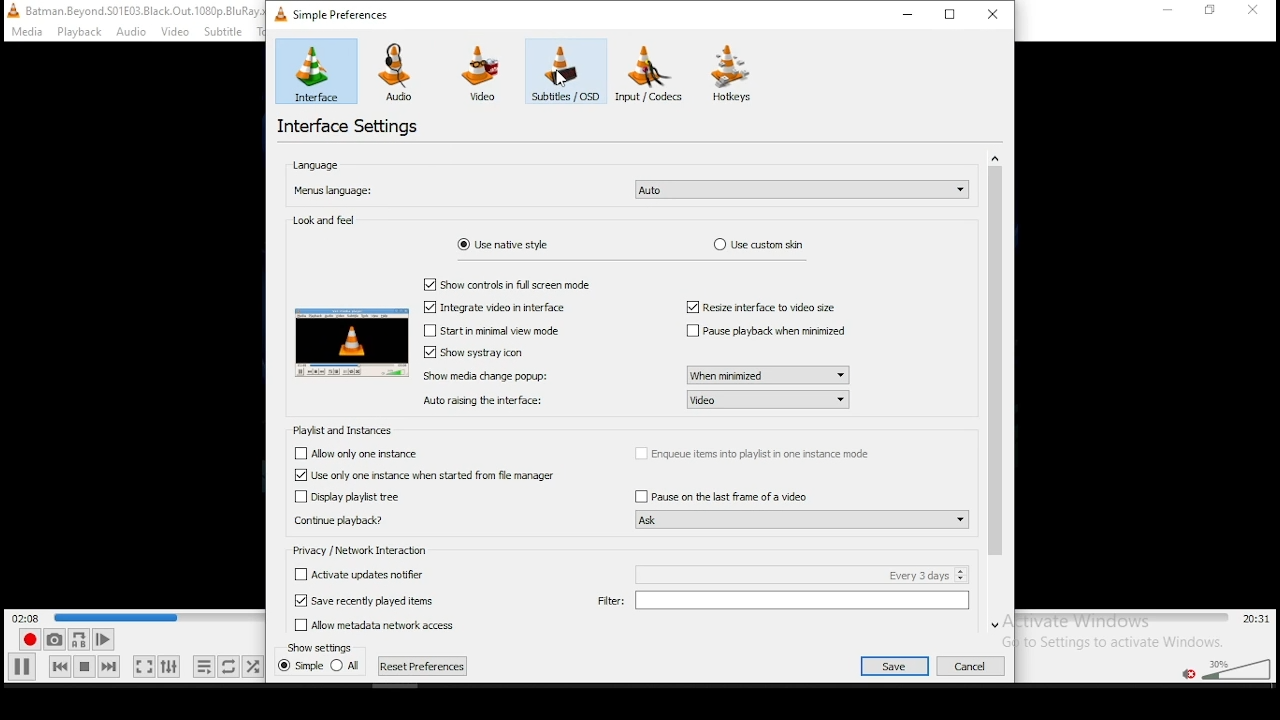  Describe the element at coordinates (361, 599) in the screenshot. I see `` at that location.